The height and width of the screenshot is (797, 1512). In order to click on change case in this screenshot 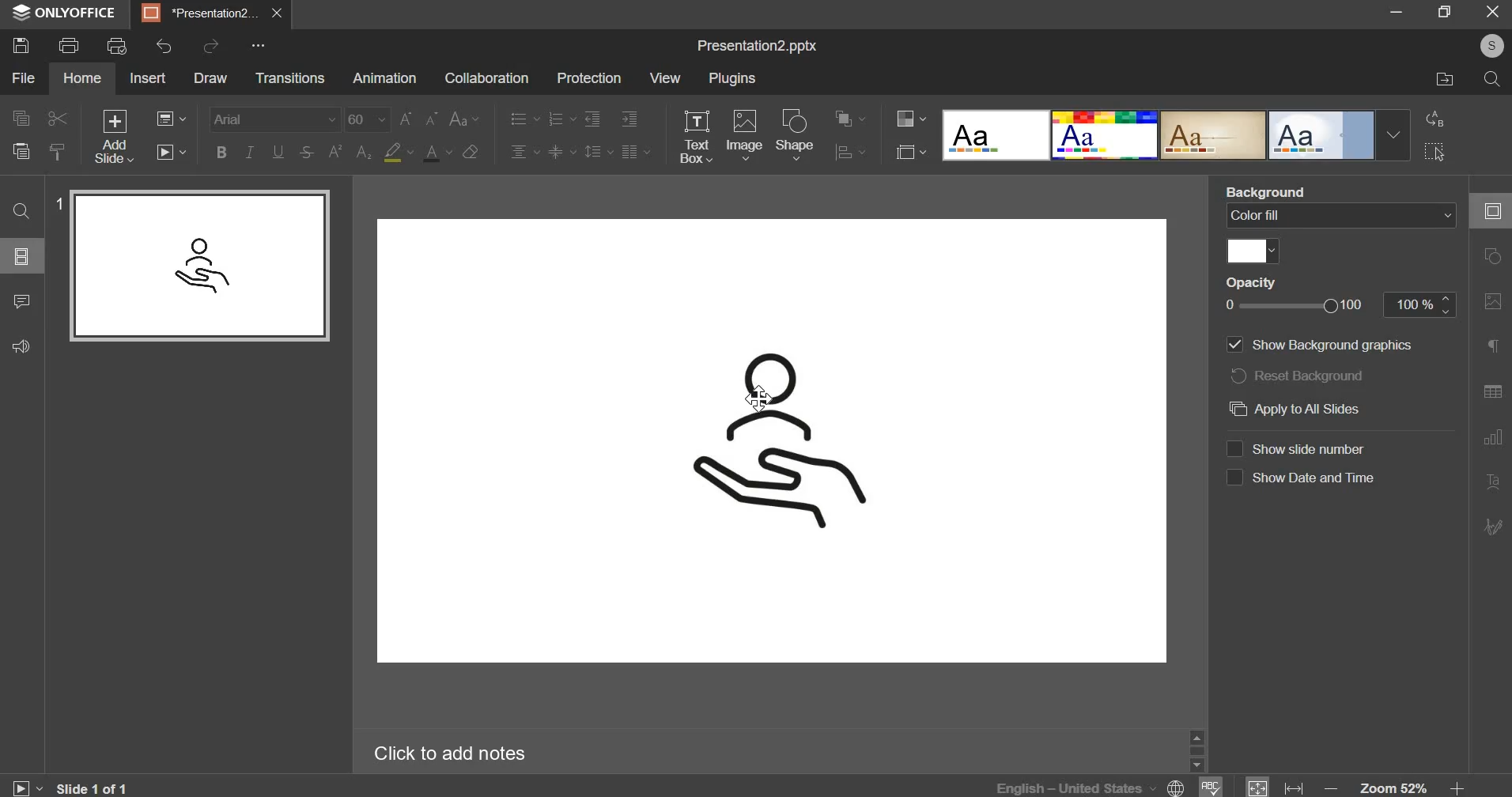, I will do `click(463, 119)`.